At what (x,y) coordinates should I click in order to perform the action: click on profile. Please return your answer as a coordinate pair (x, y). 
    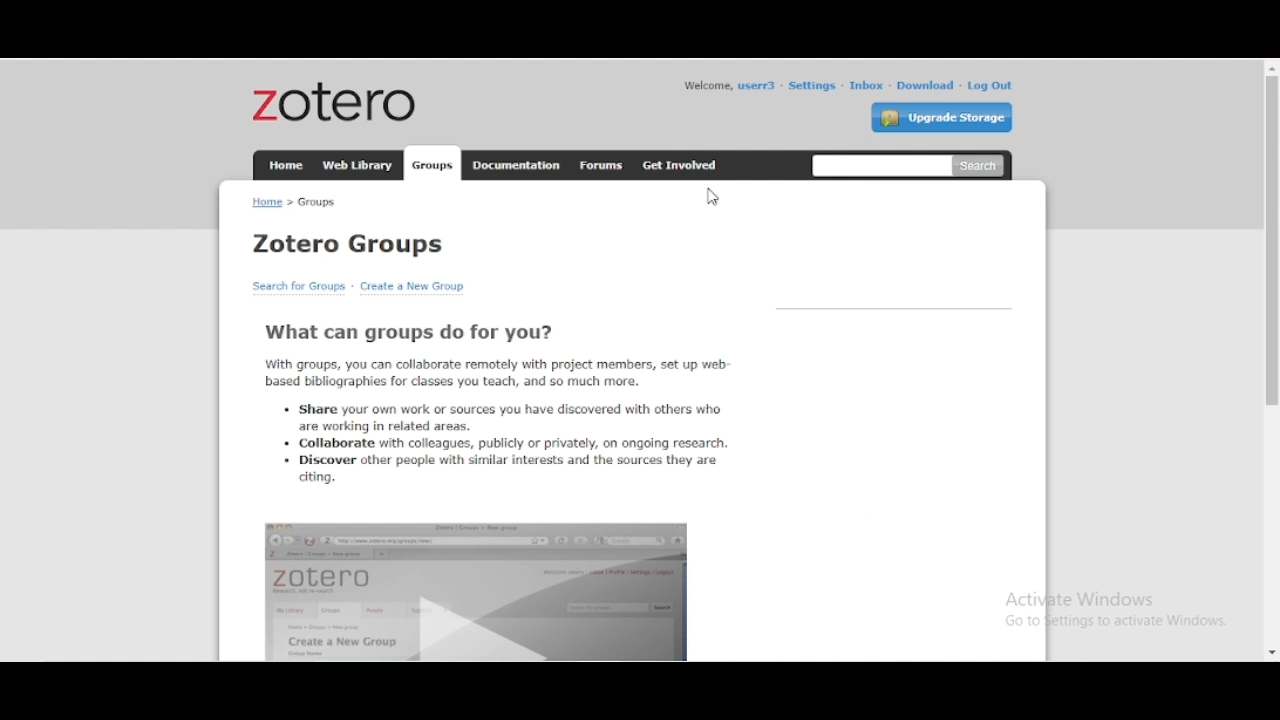
    Looking at the image, I should click on (758, 85).